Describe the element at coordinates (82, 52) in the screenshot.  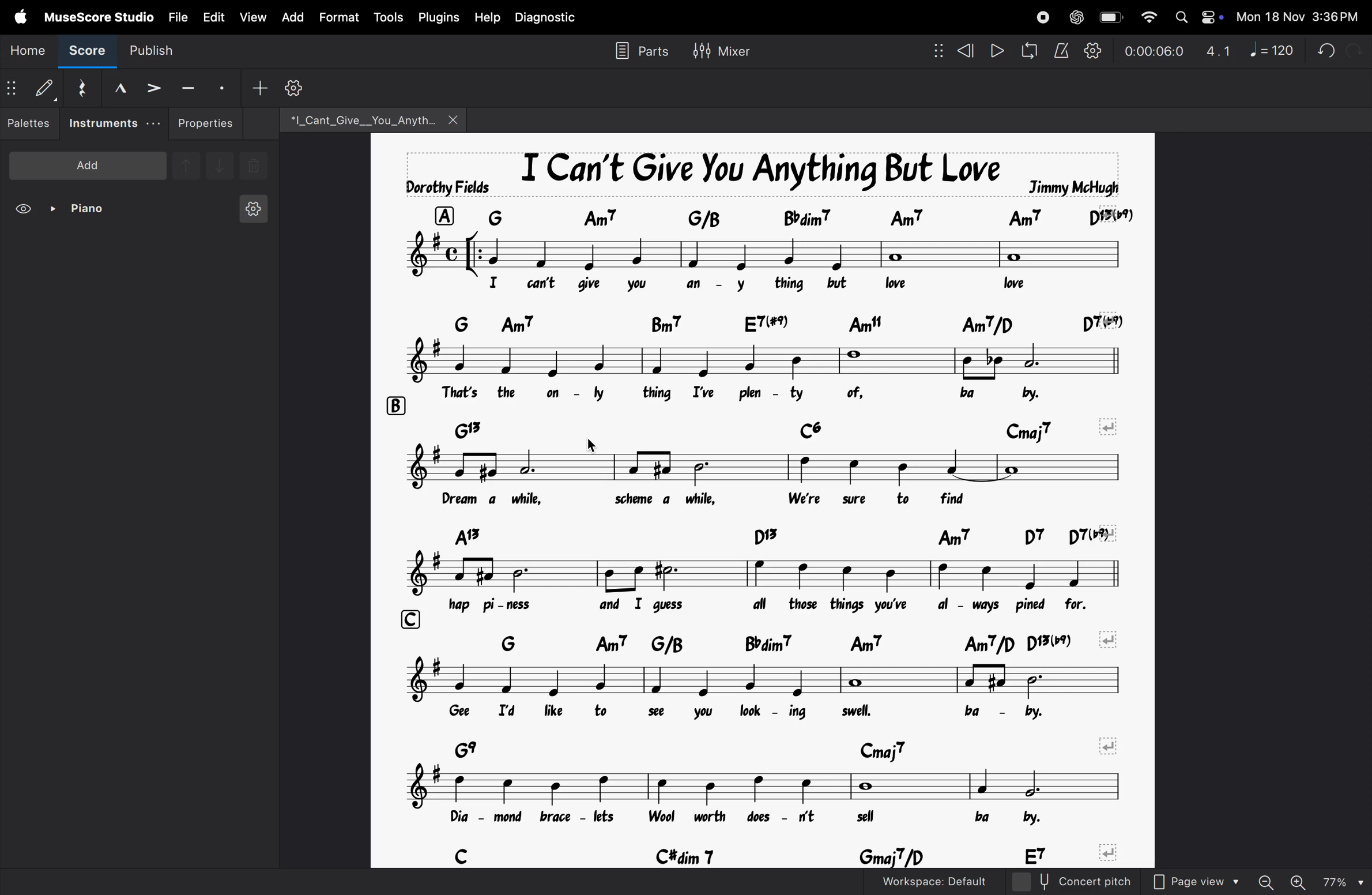
I see `score` at that location.